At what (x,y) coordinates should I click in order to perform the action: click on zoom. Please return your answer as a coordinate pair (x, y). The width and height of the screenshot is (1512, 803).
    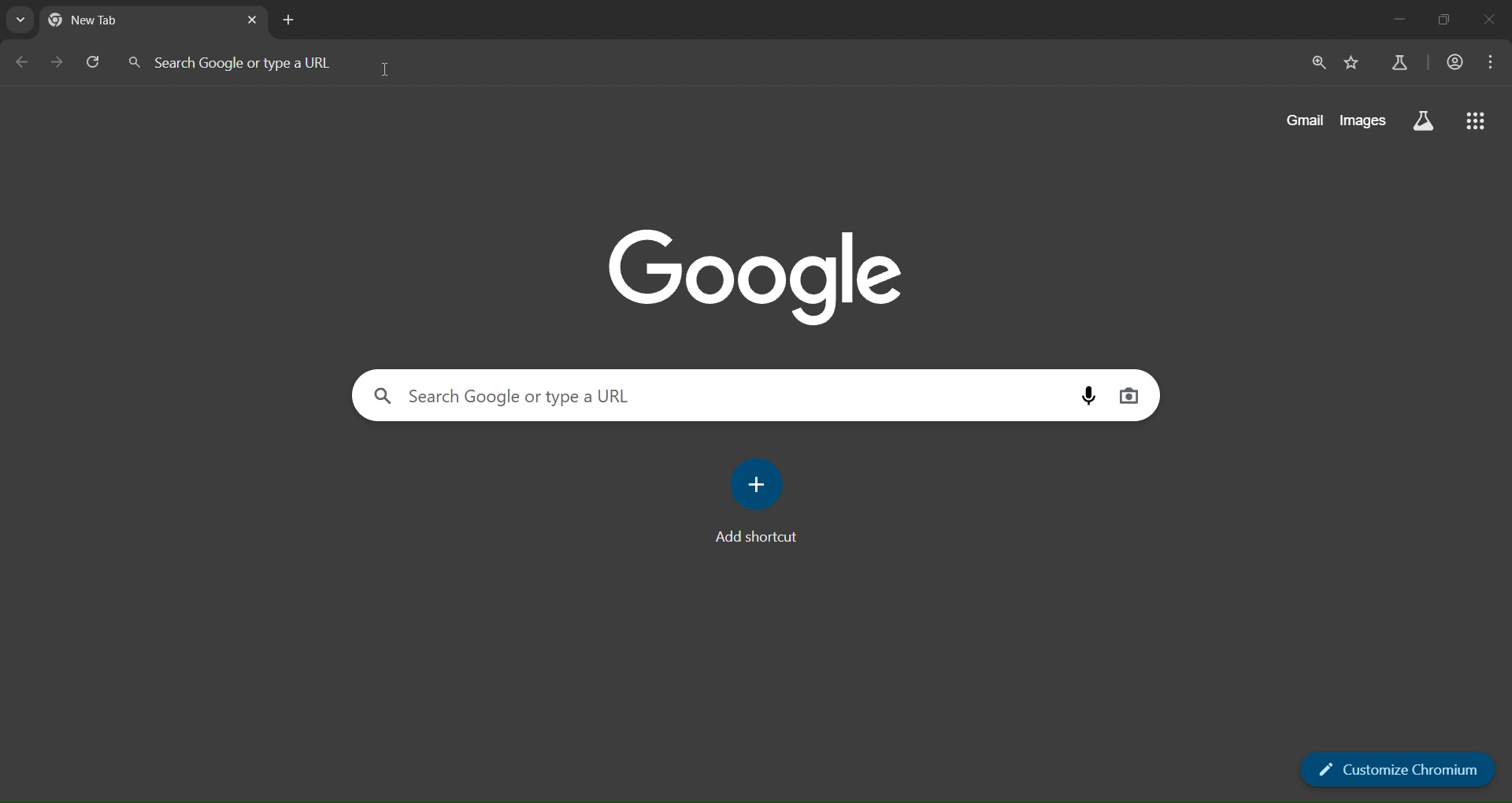
    Looking at the image, I should click on (1316, 65).